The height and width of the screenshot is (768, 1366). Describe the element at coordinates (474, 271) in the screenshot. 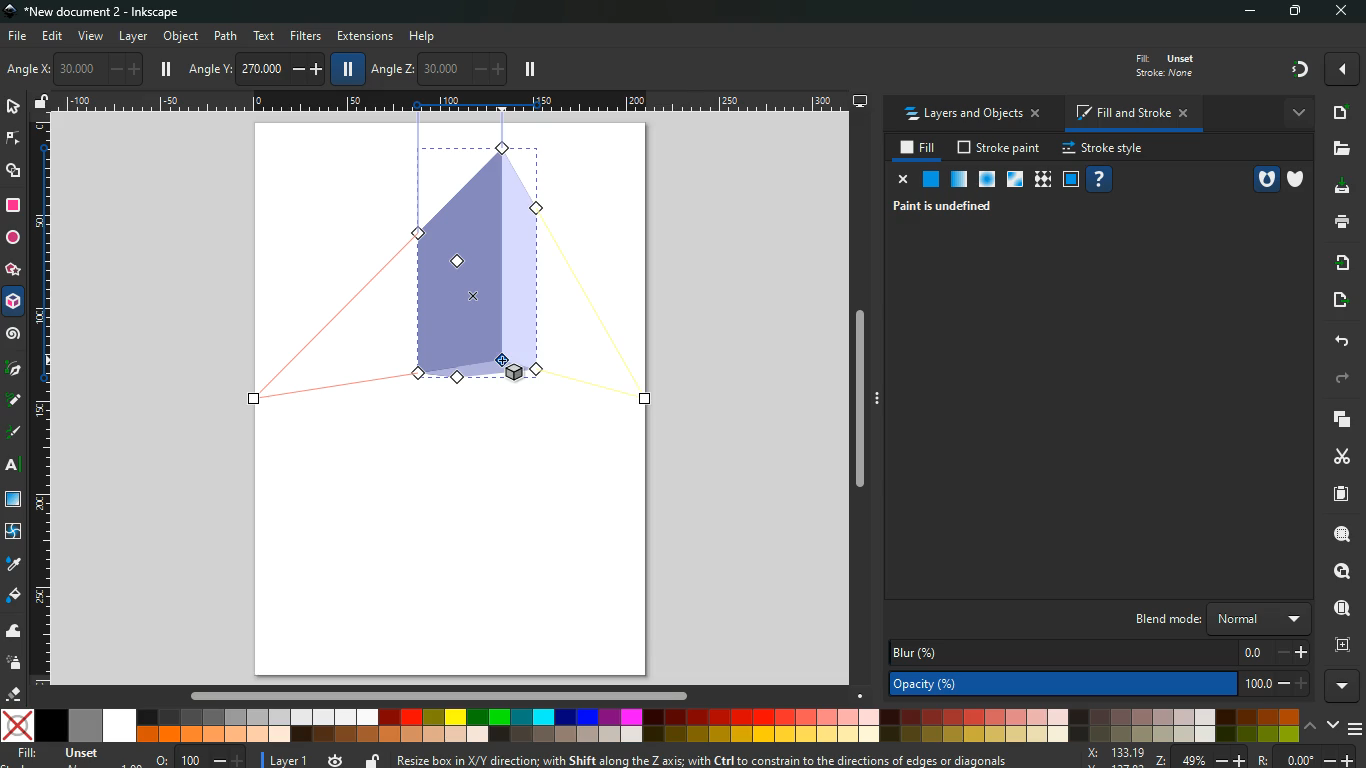

I see `3d tool` at that location.